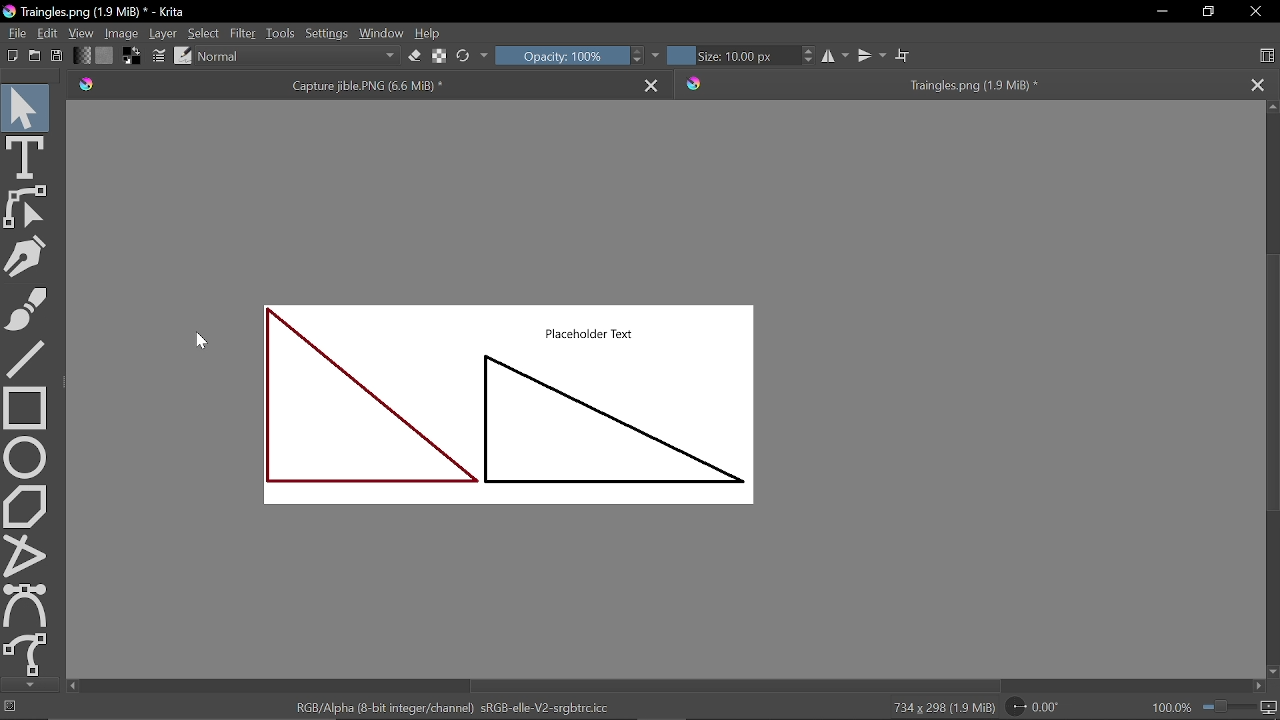  Describe the element at coordinates (26, 407) in the screenshot. I see `Rectangular tool` at that location.